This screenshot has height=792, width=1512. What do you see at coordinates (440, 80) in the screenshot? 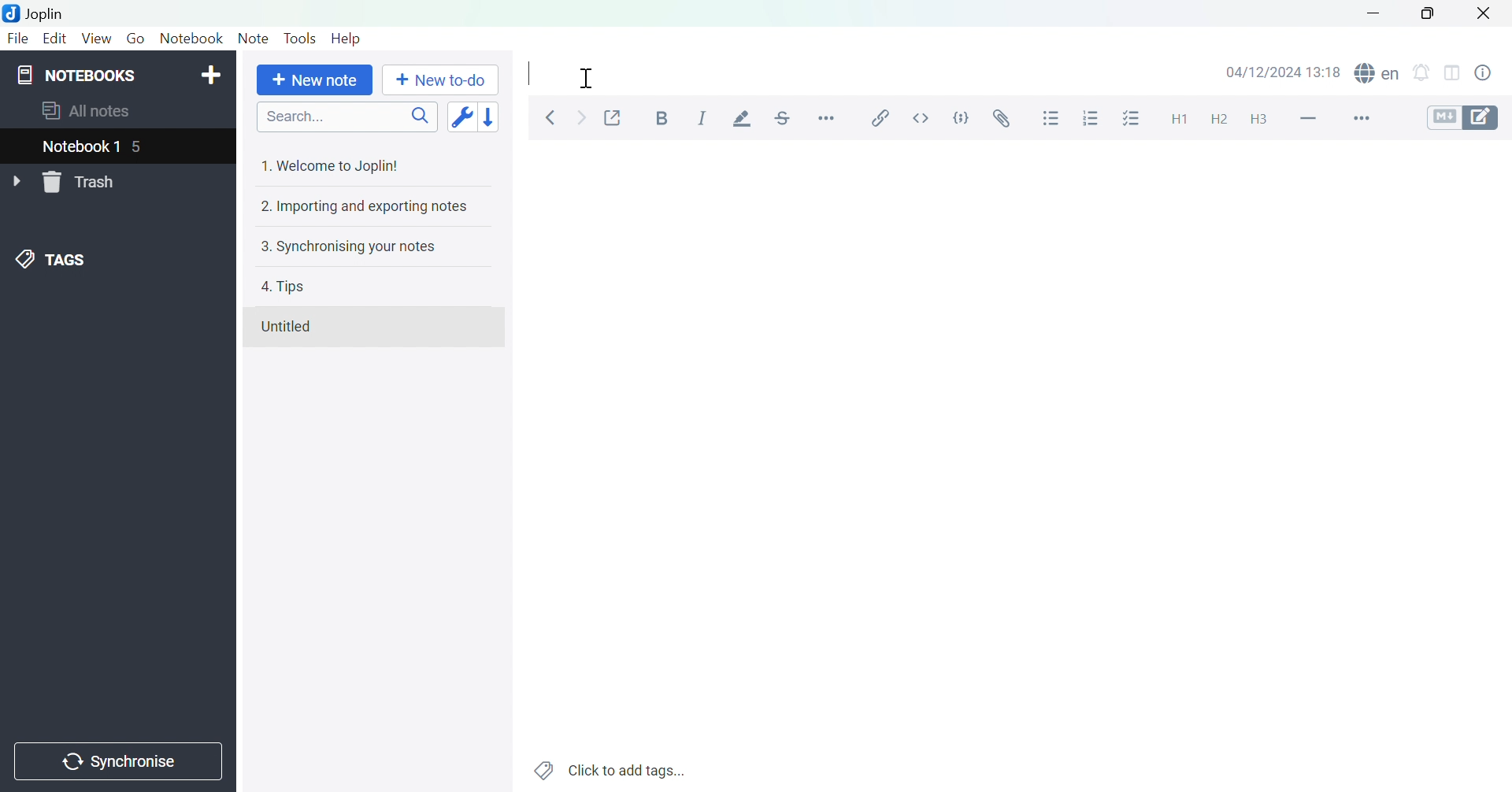
I see `New to-do` at bounding box center [440, 80].